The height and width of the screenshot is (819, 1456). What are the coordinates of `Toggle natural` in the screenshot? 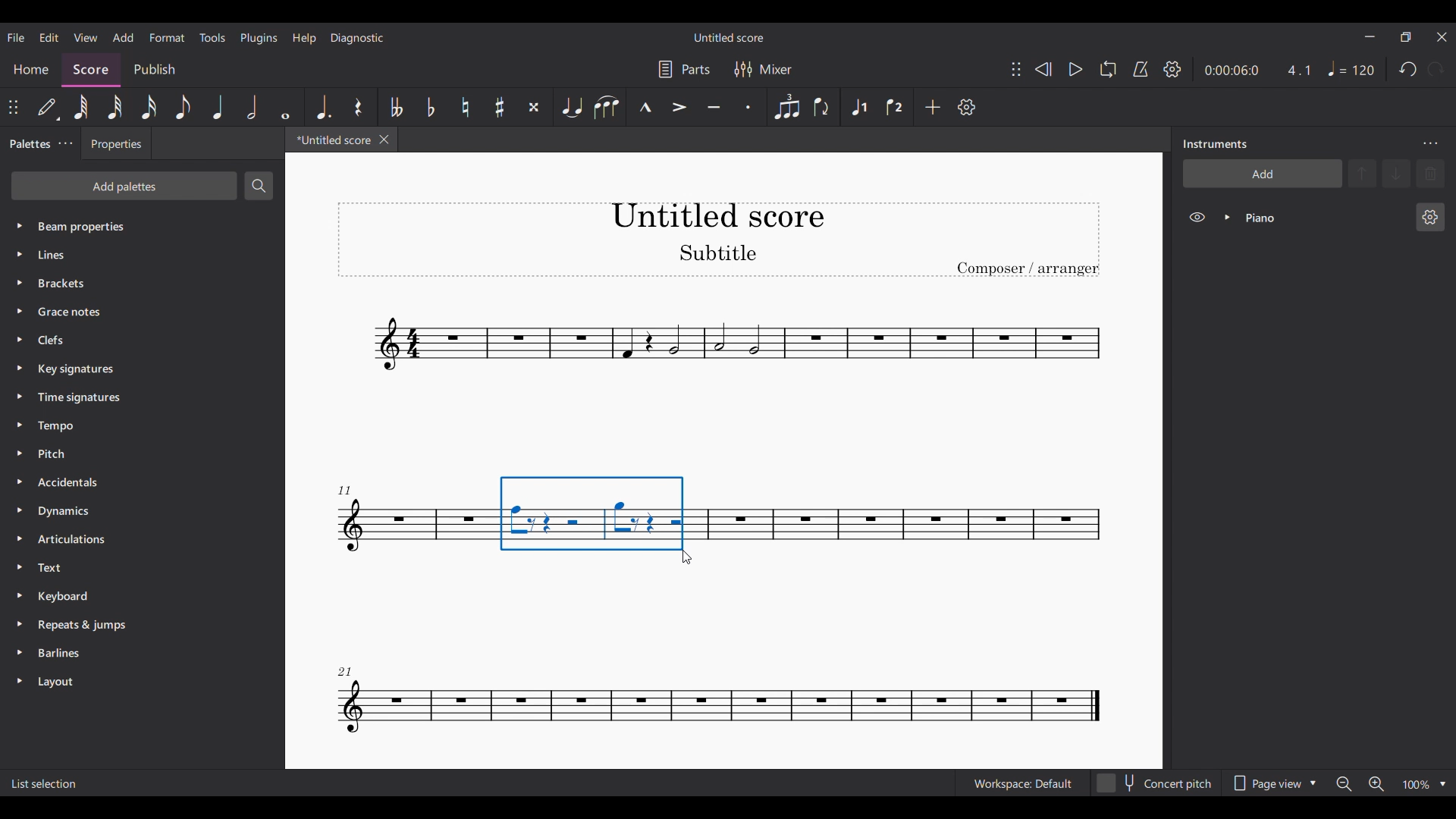 It's located at (465, 107).